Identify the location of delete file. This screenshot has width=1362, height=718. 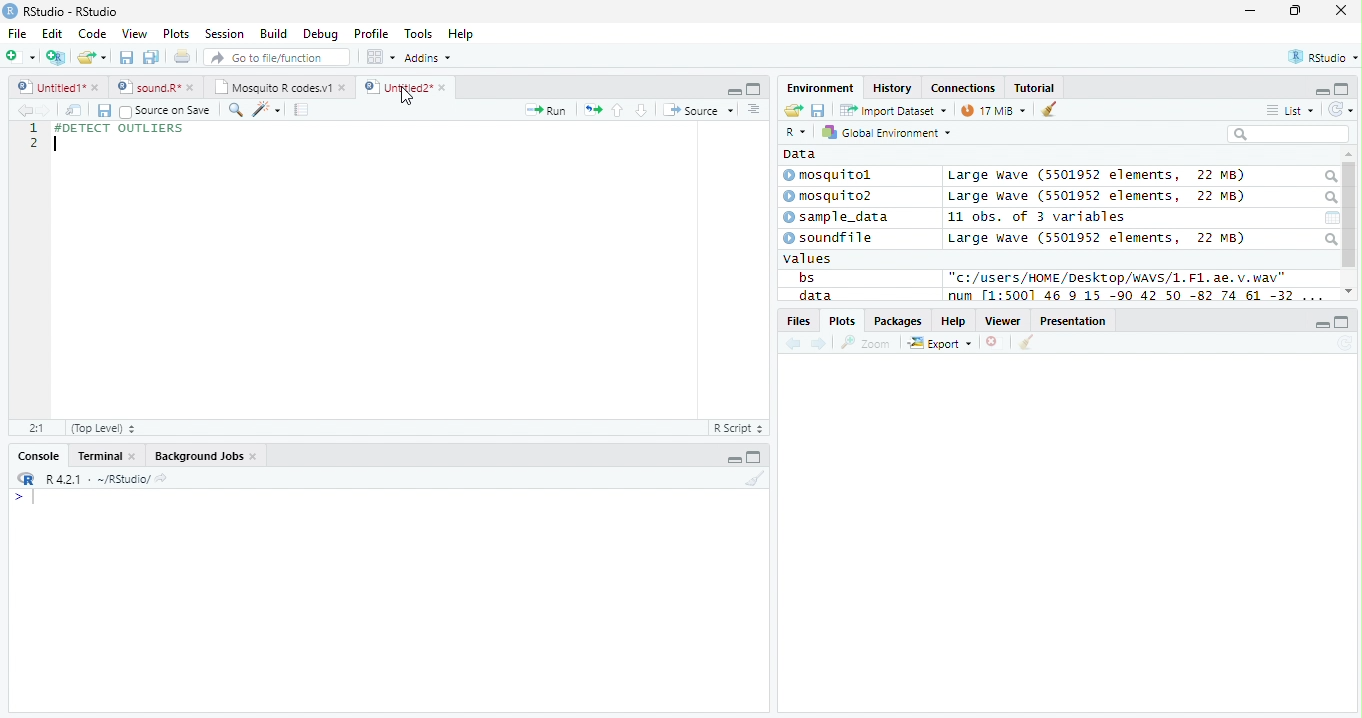
(996, 342).